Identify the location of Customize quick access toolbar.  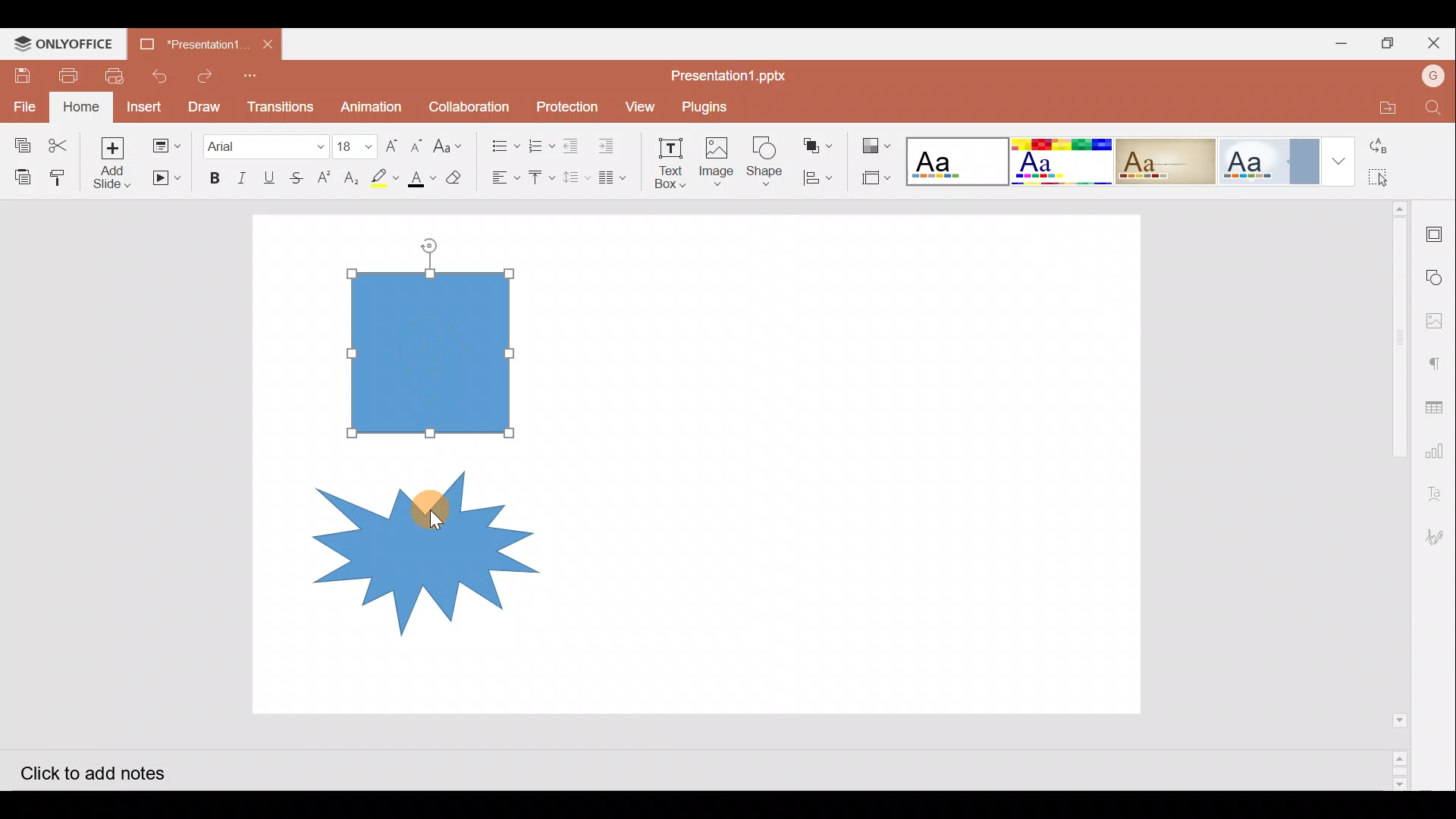
(252, 75).